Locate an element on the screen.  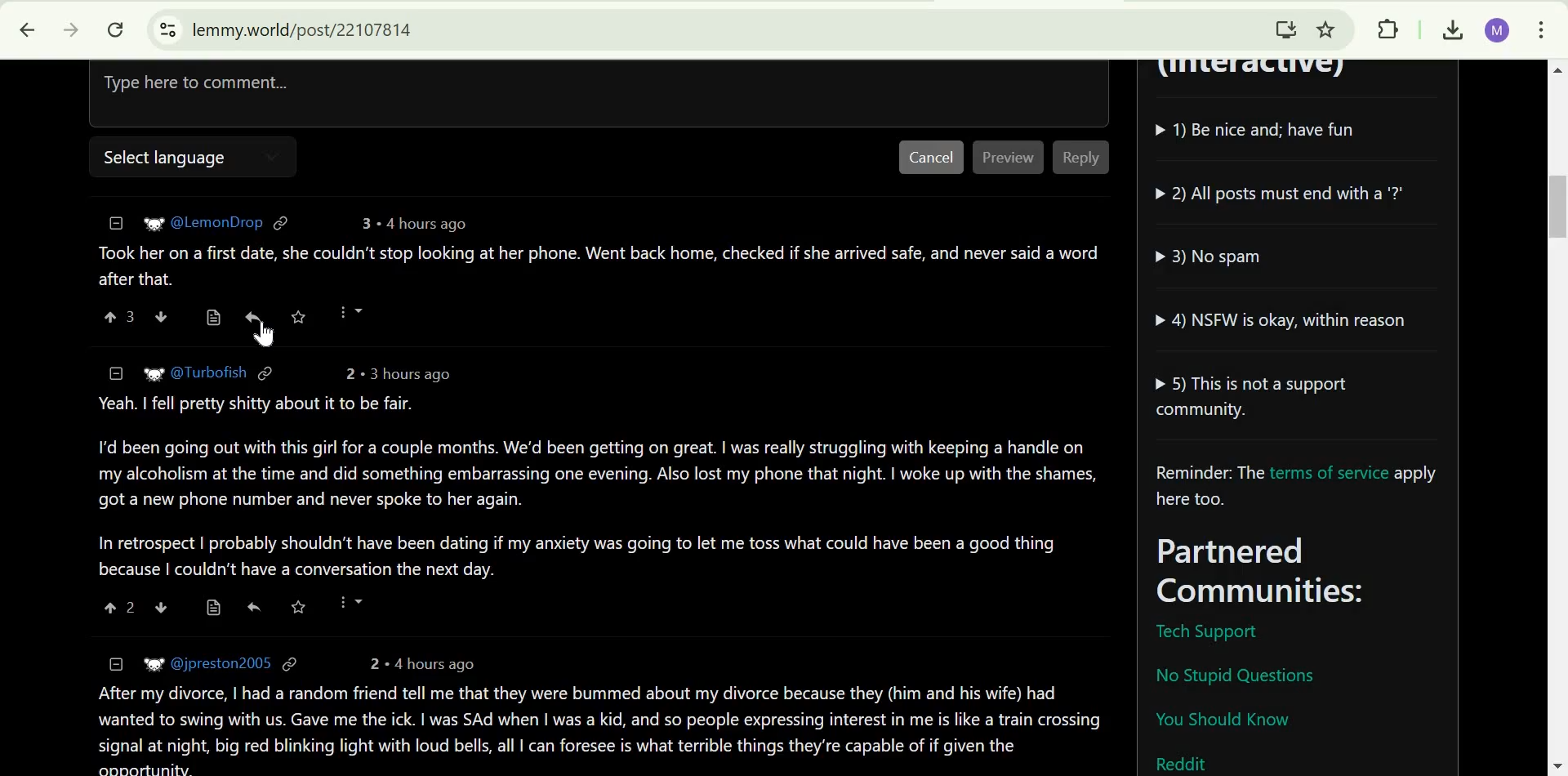
Cancel is located at coordinates (930, 158).